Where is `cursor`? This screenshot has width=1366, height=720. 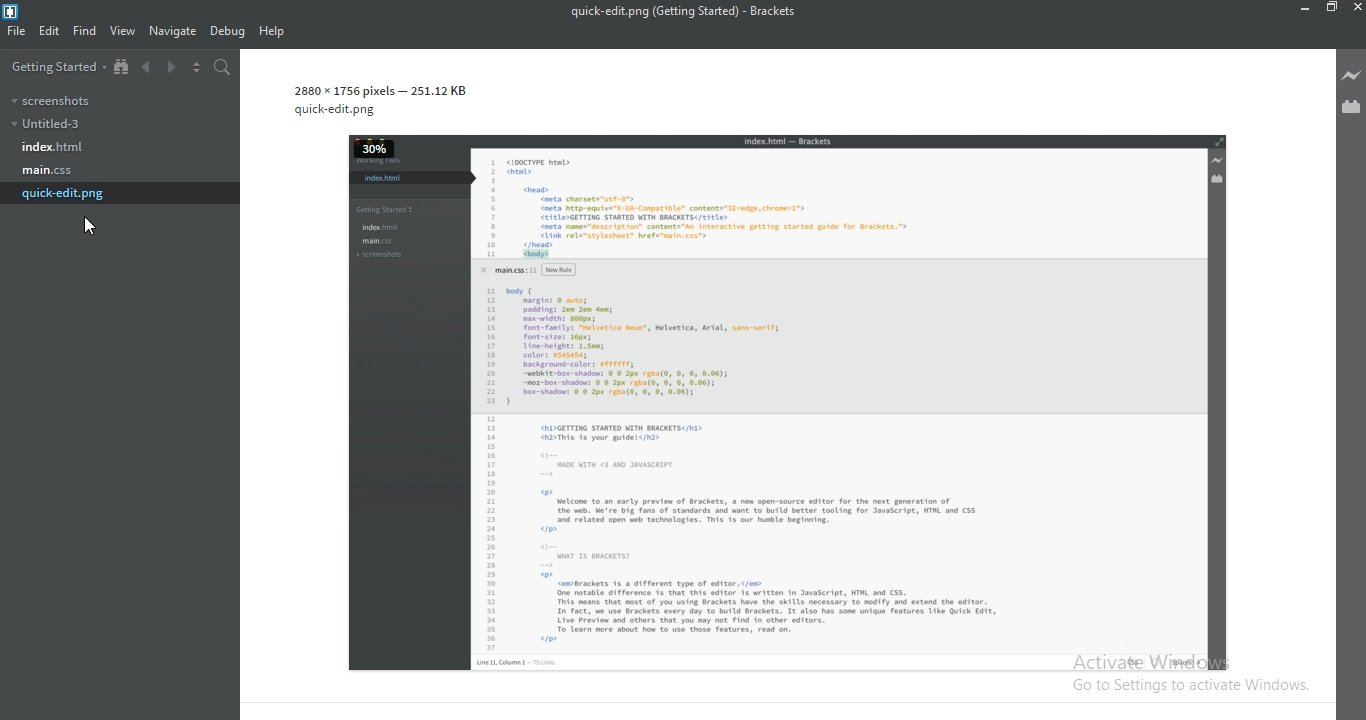
cursor is located at coordinates (94, 227).